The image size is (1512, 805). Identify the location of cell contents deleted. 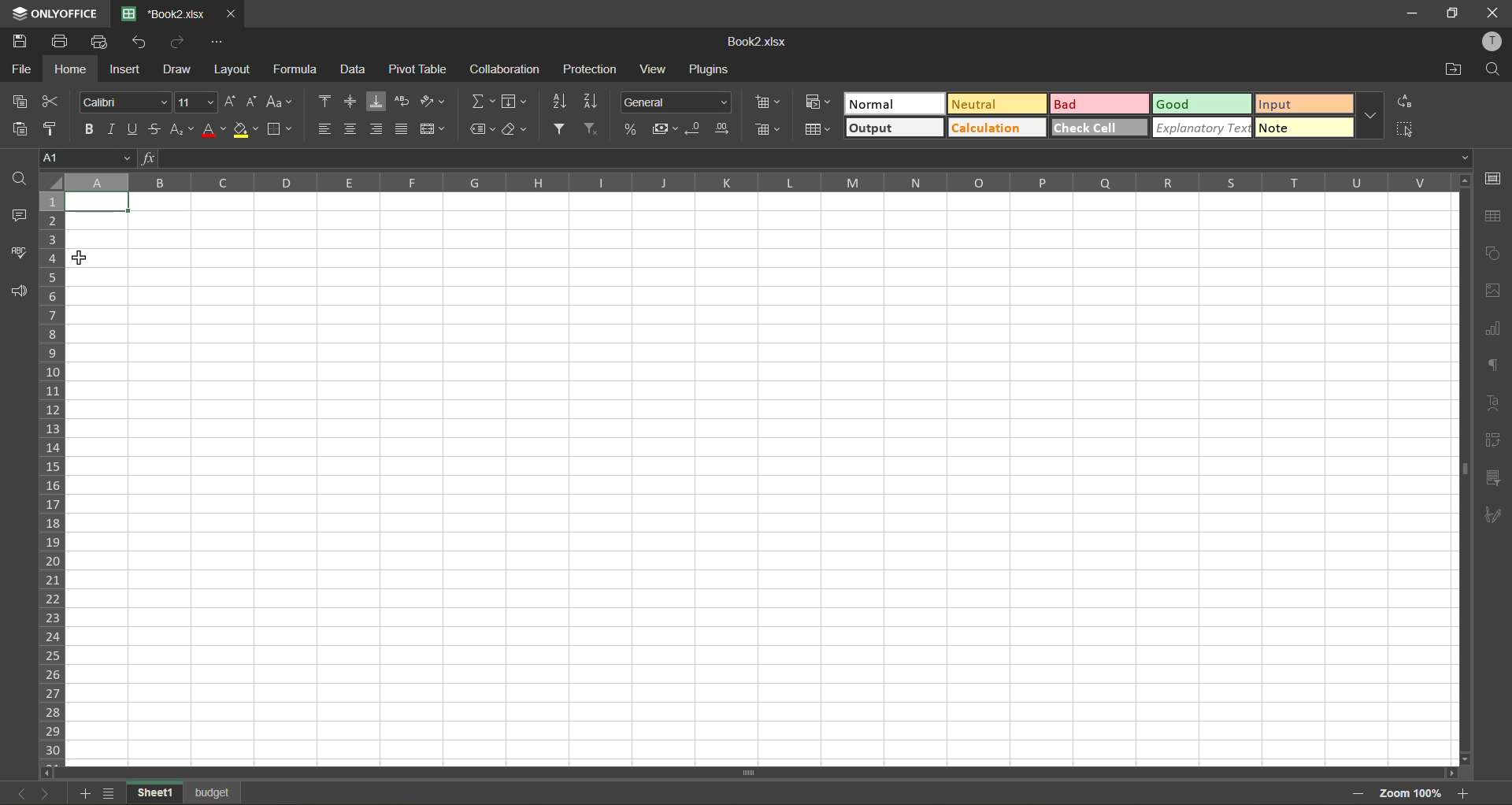
(98, 203).